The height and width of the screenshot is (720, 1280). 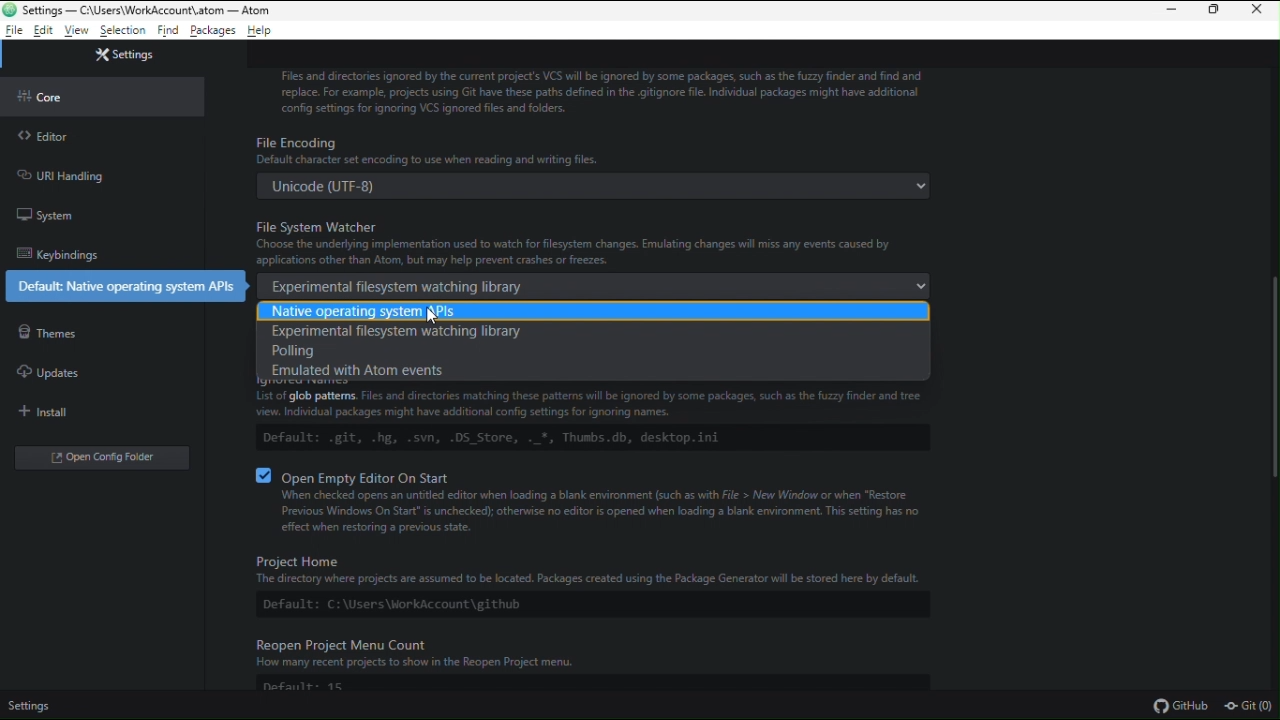 I want to click on File system watcher, so click(x=590, y=258).